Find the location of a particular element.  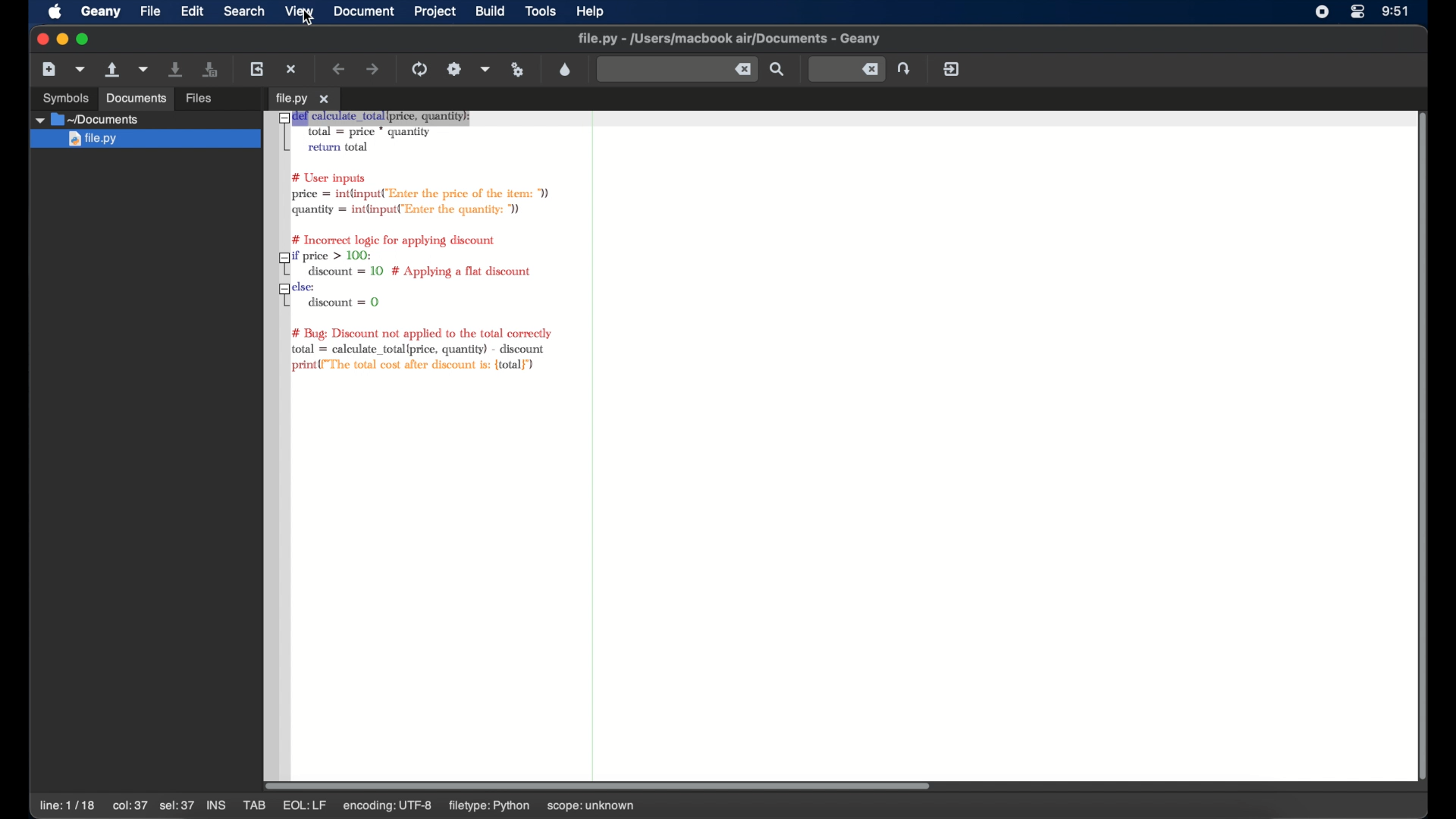

open an existing file is located at coordinates (113, 70).